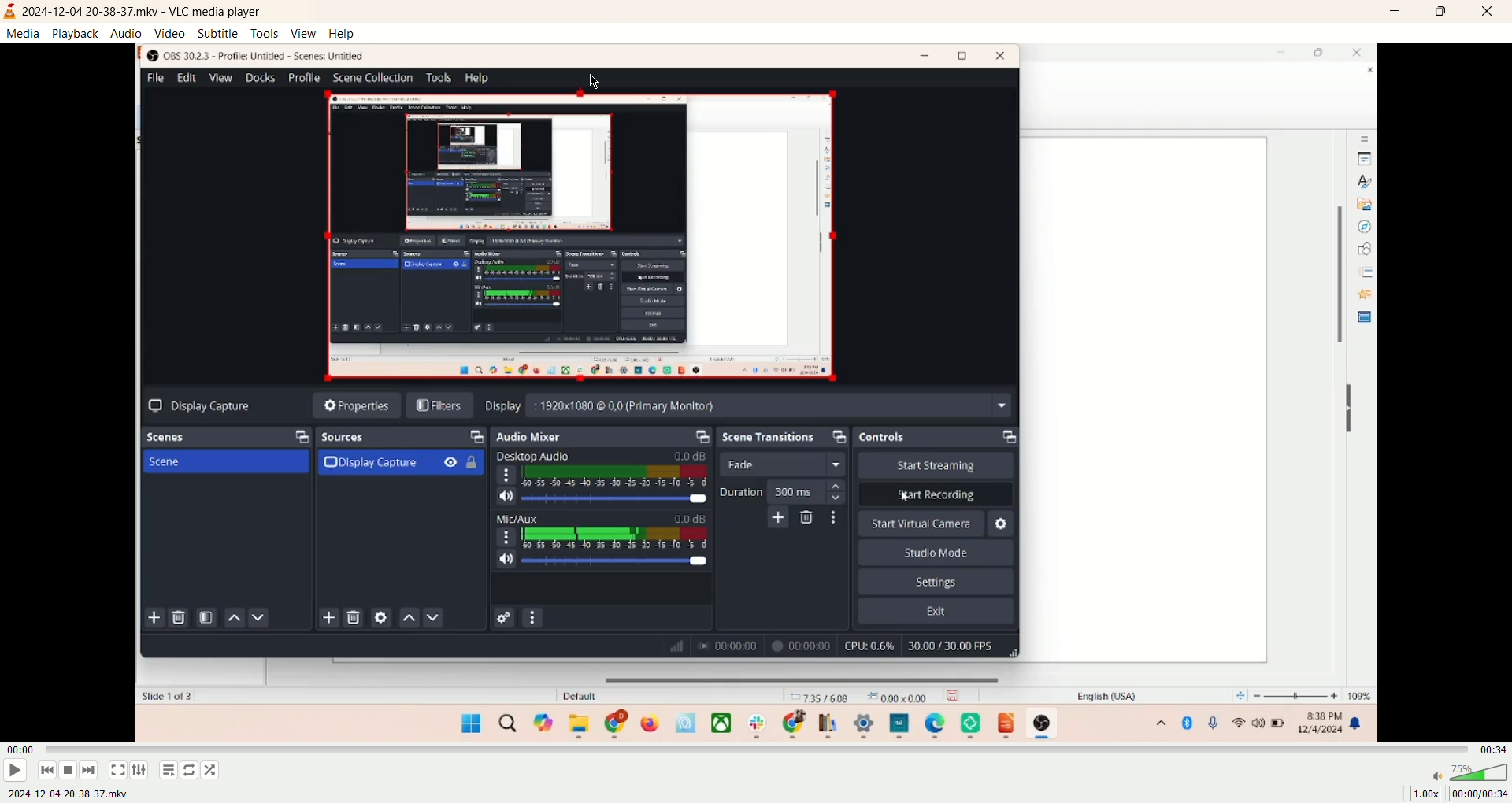 This screenshot has width=1512, height=803. Describe the element at coordinates (147, 11) in the screenshot. I see `2024-12-04 20-38-37.mkv - VLC media player` at that location.